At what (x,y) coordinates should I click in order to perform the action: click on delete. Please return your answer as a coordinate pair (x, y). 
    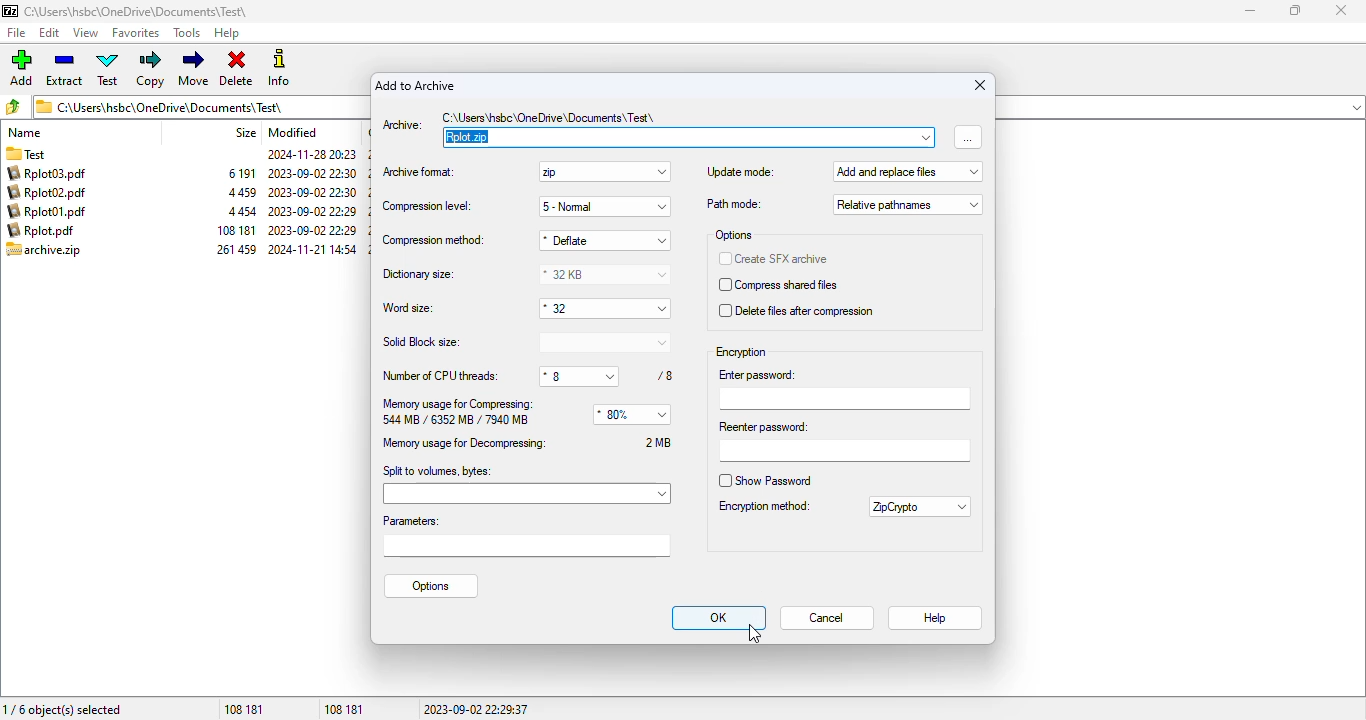
    Looking at the image, I should click on (236, 69).